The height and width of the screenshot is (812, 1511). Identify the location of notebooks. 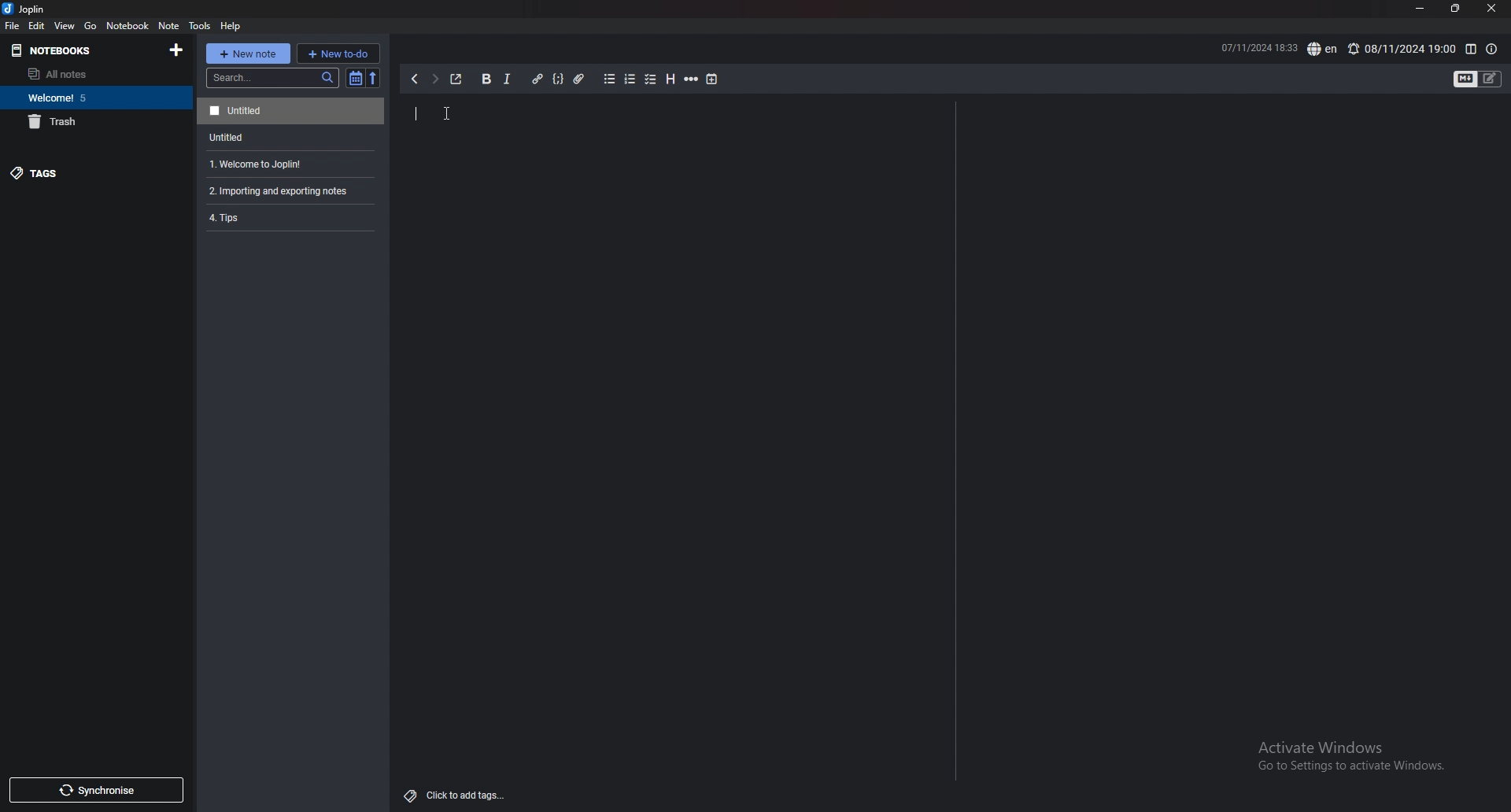
(72, 51).